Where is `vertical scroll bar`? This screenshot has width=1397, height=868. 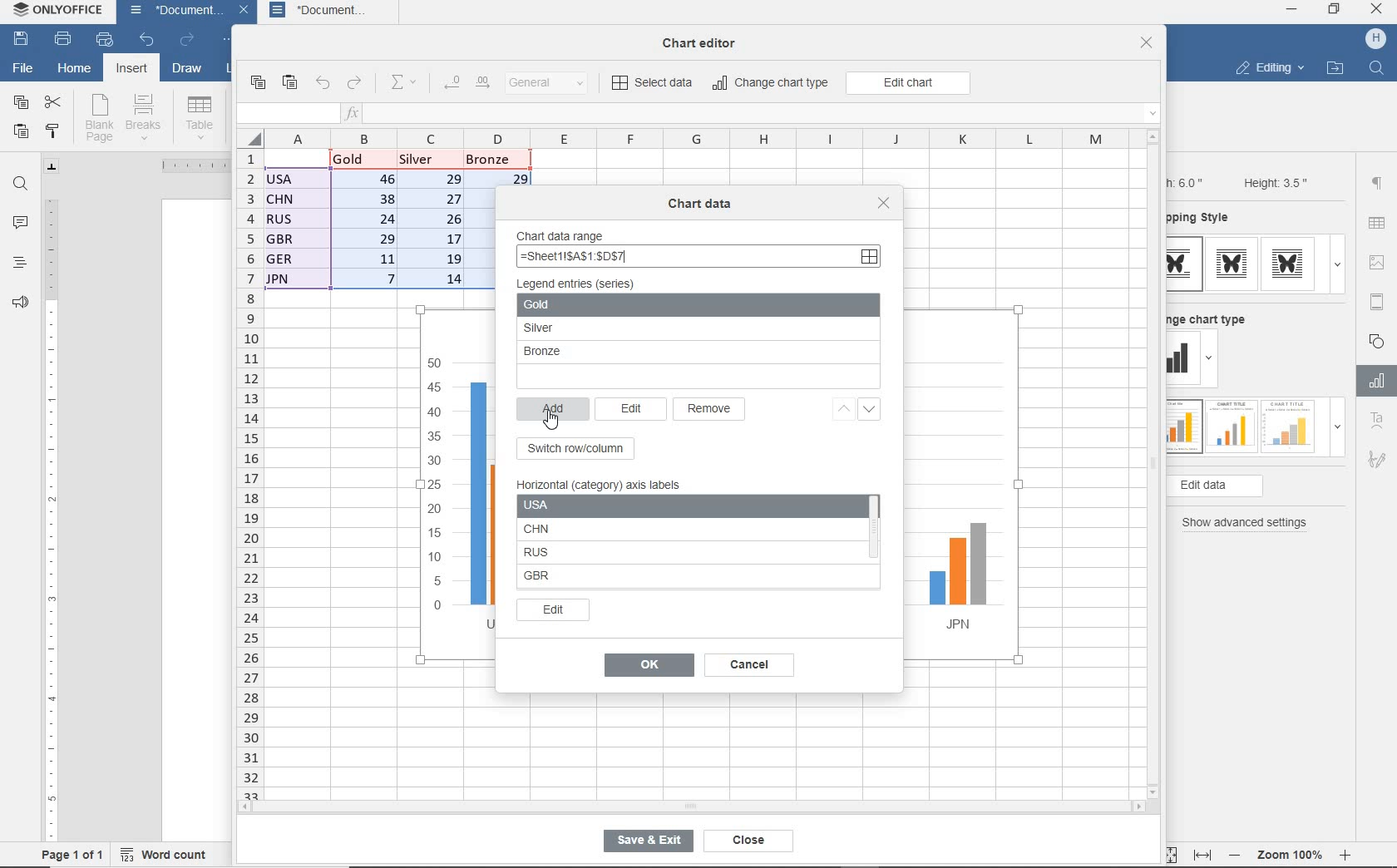 vertical scroll bar is located at coordinates (1158, 463).